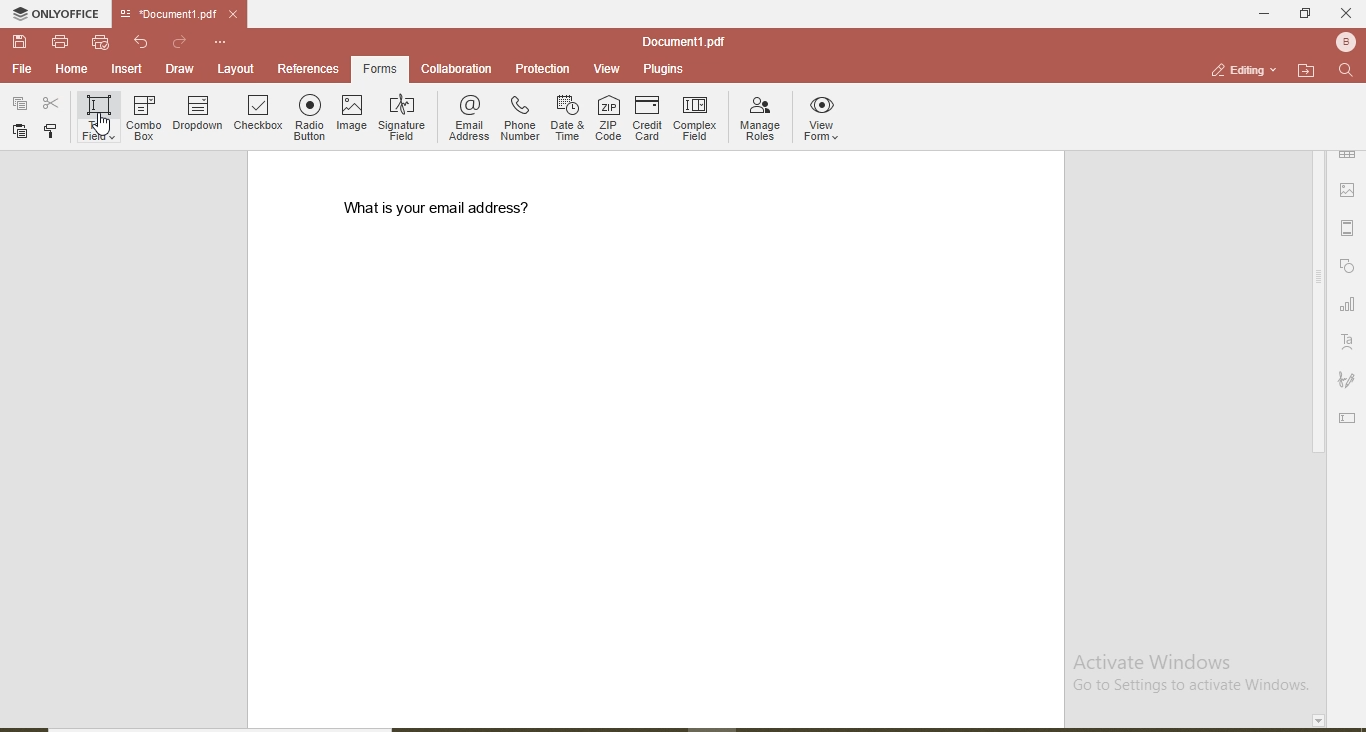  What do you see at coordinates (101, 42) in the screenshot?
I see `quick print` at bounding box center [101, 42].